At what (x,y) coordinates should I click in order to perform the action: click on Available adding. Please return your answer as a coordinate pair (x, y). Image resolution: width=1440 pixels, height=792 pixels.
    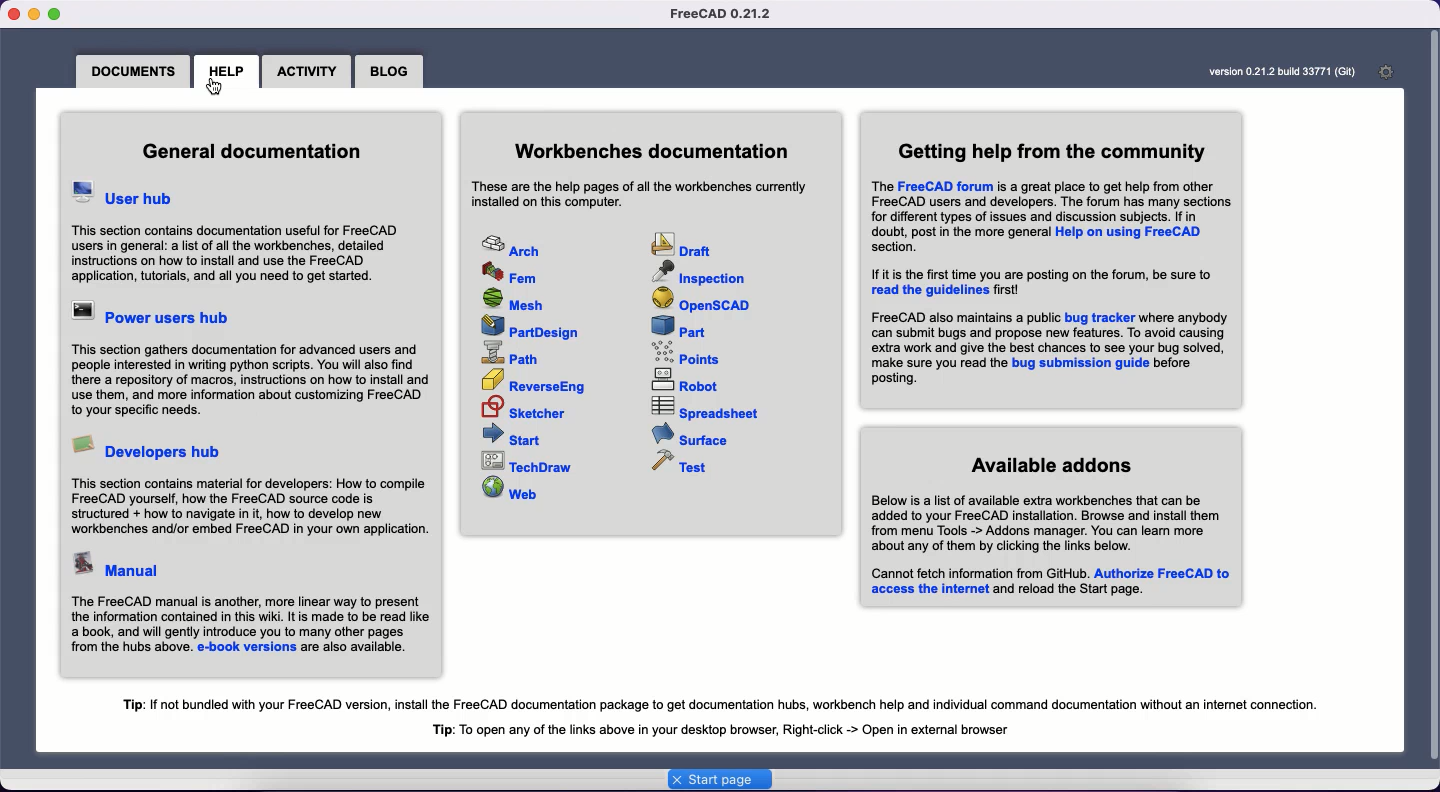
    Looking at the image, I should click on (1051, 519).